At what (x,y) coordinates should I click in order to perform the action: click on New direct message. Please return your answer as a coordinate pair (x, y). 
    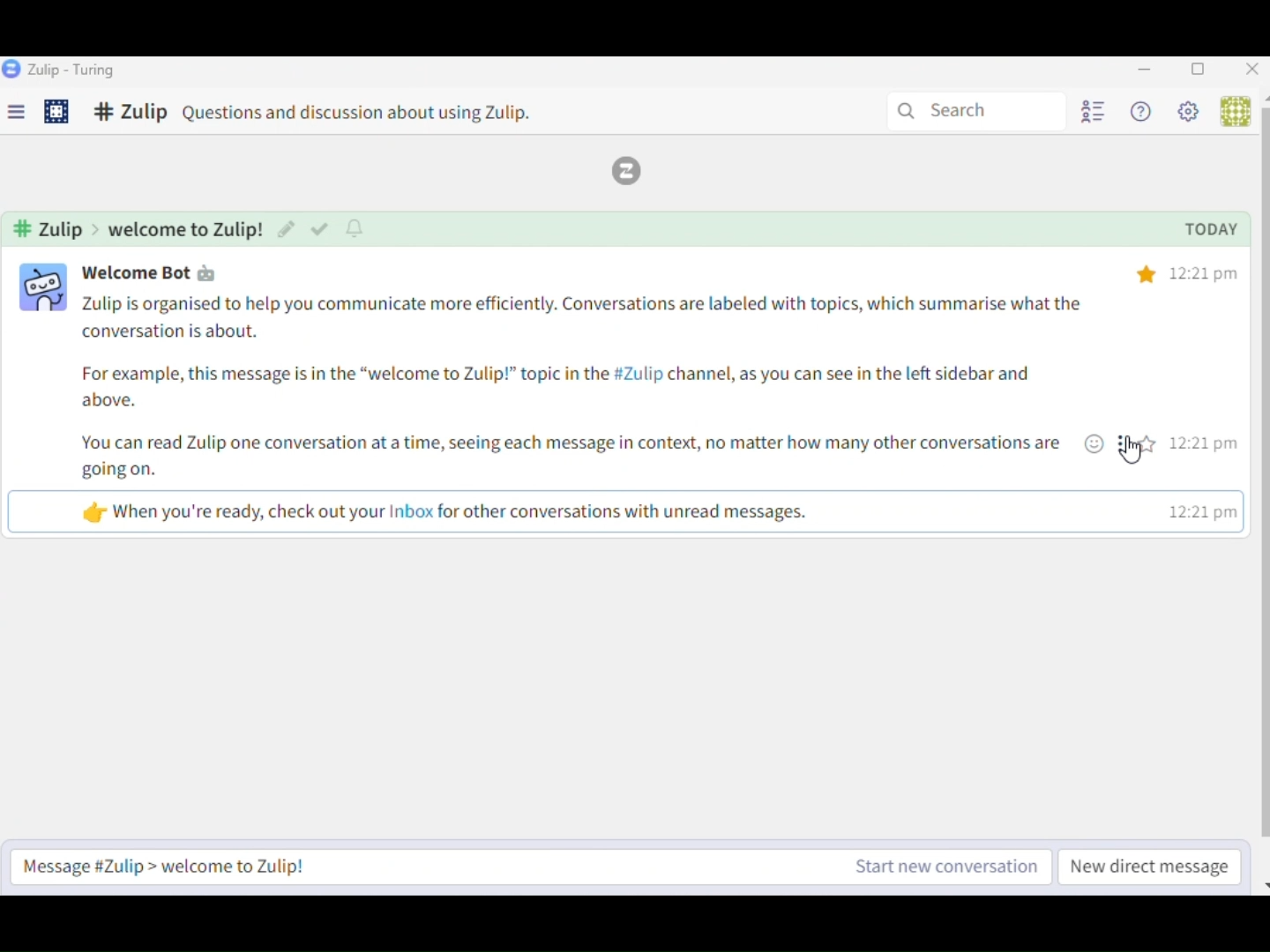
    Looking at the image, I should click on (1149, 866).